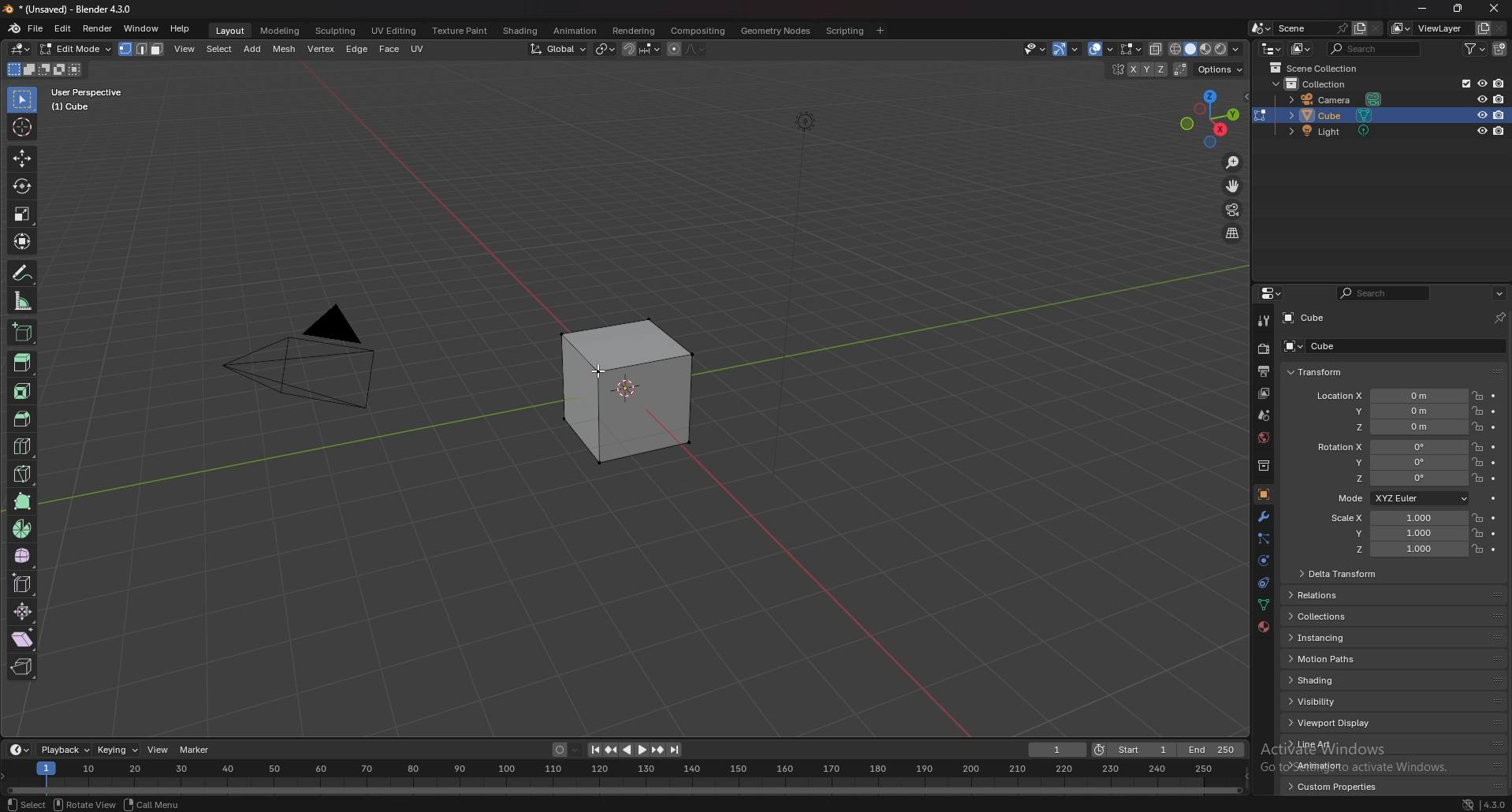  Describe the element at coordinates (20, 639) in the screenshot. I see `shear` at that location.